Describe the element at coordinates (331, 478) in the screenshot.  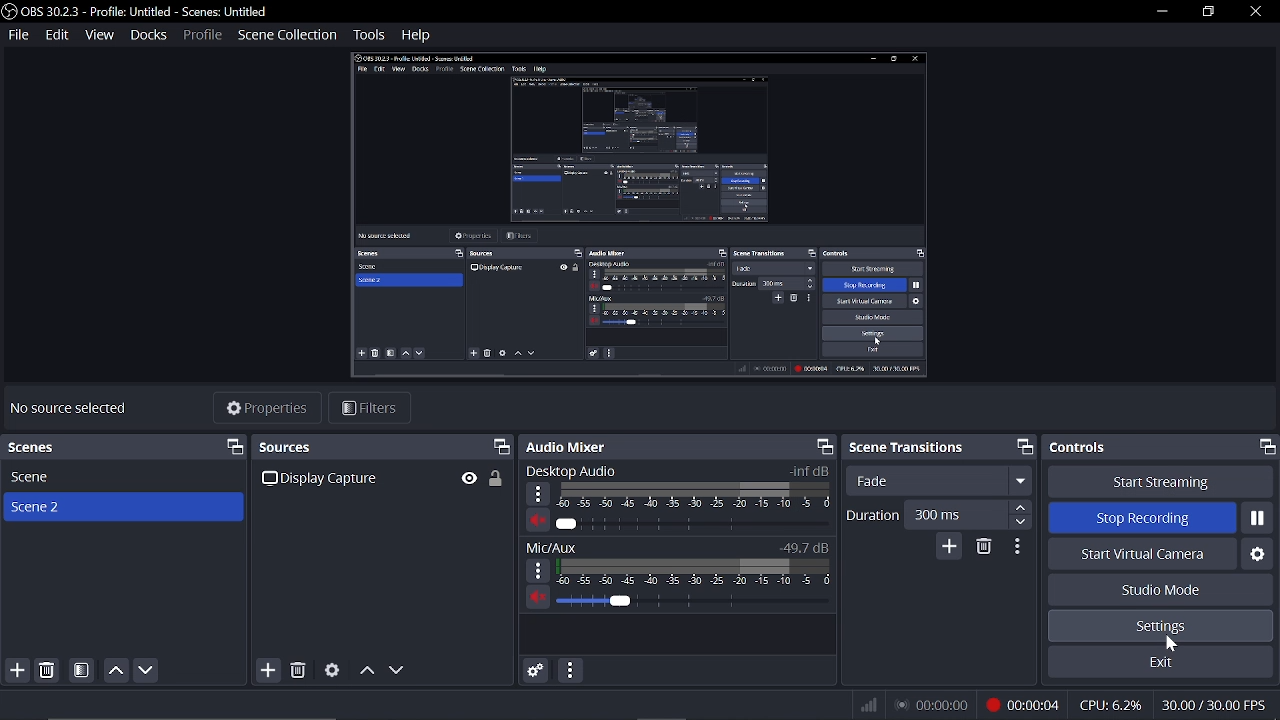
I see `Display capture` at that location.